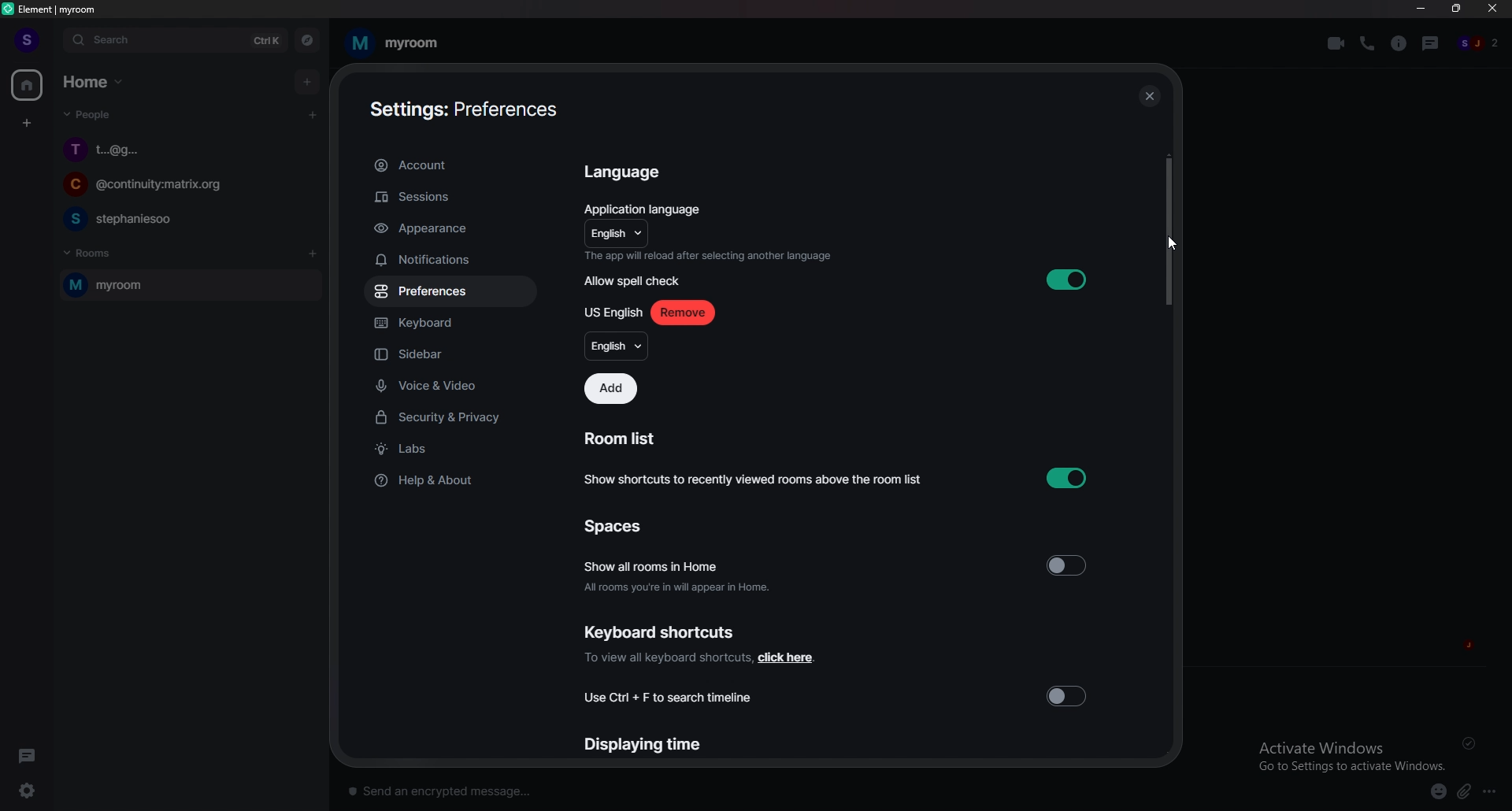 The height and width of the screenshot is (811, 1512). What do you see at coordinates (637, 282) in the screenshot?
I see `allow spell check` at bounding box center [637, 282].